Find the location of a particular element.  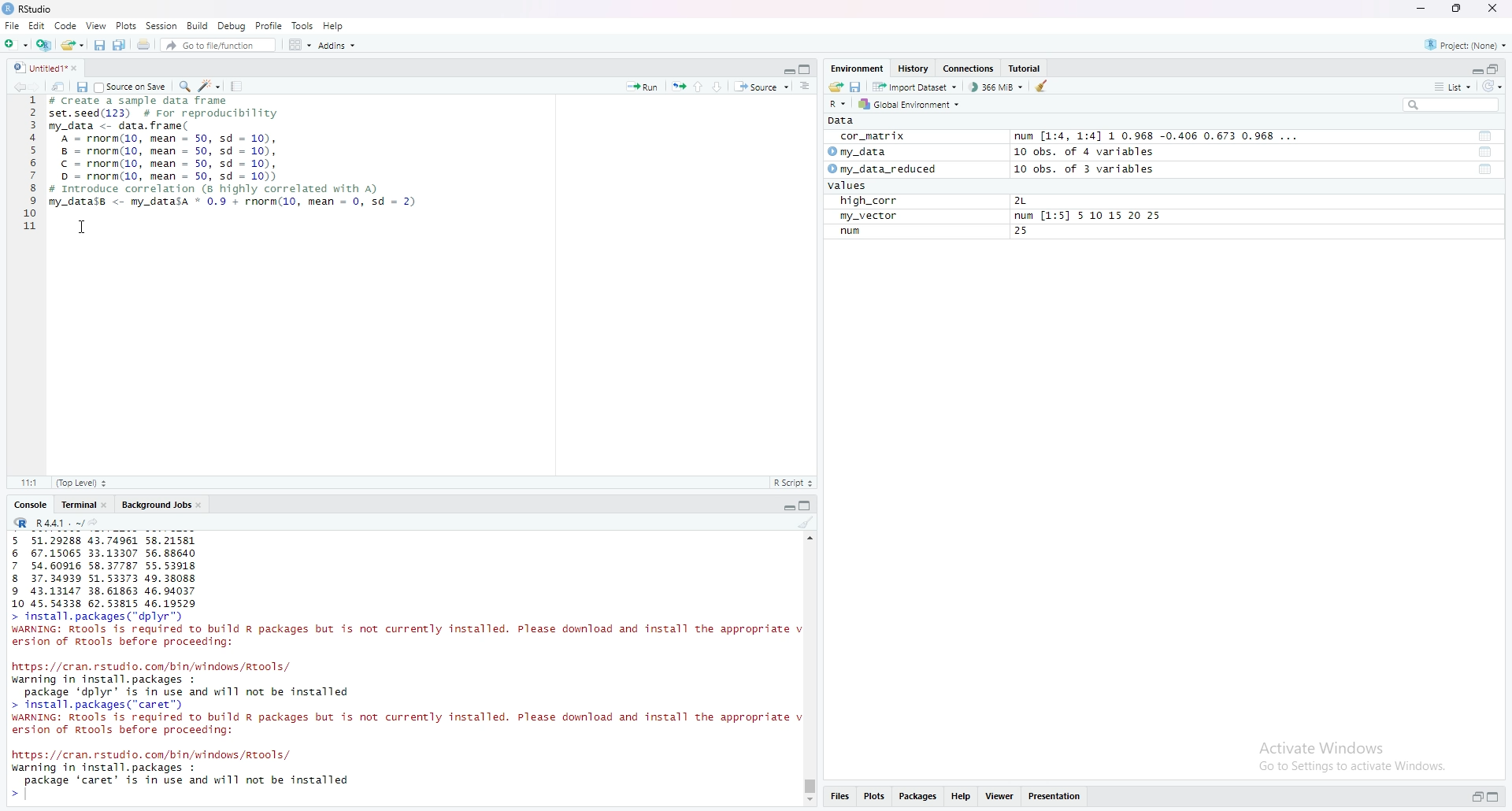

forward is located at coordinates (39, 87).